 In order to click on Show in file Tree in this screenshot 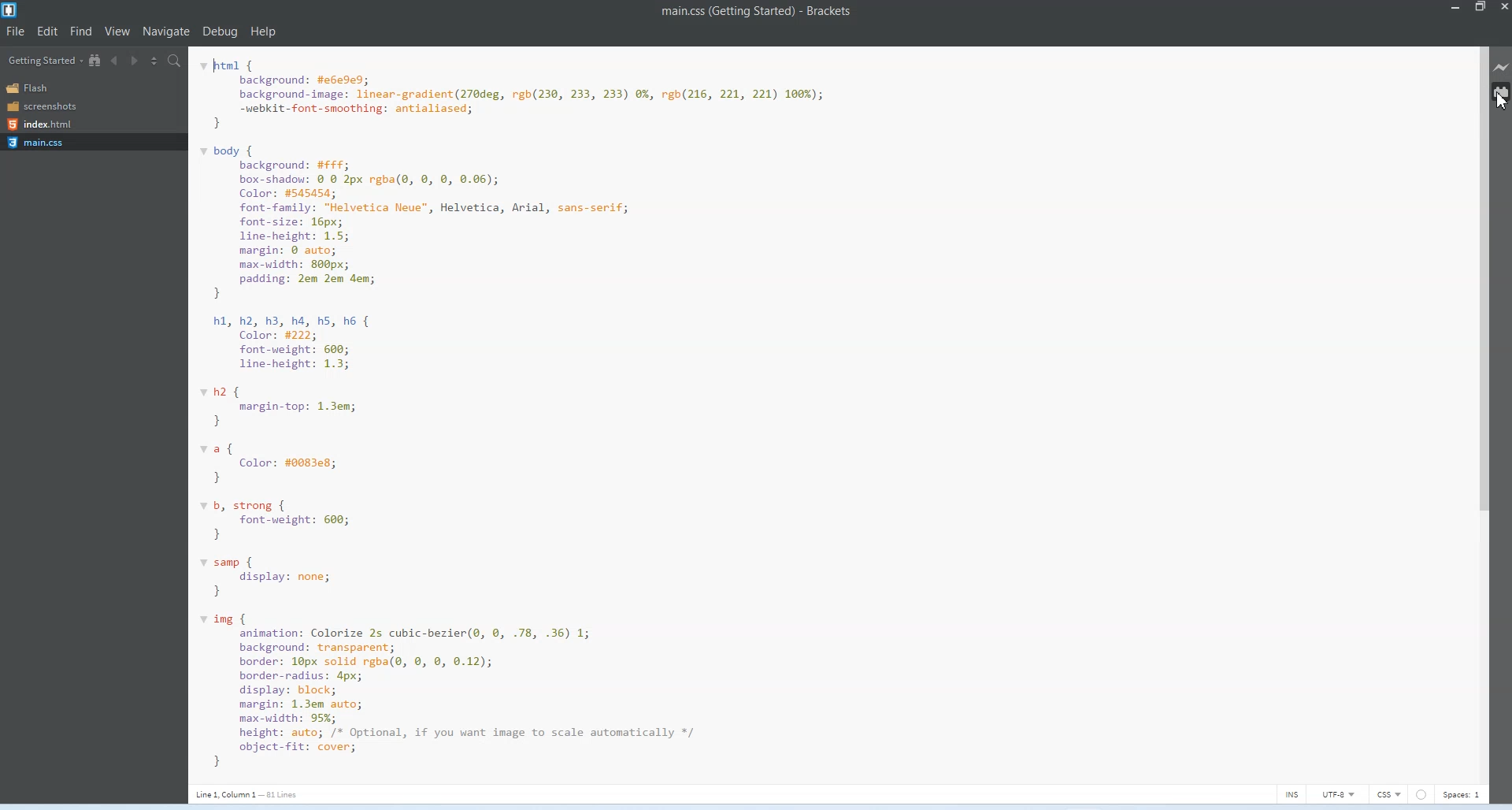, I will do `click(95, 61)`.